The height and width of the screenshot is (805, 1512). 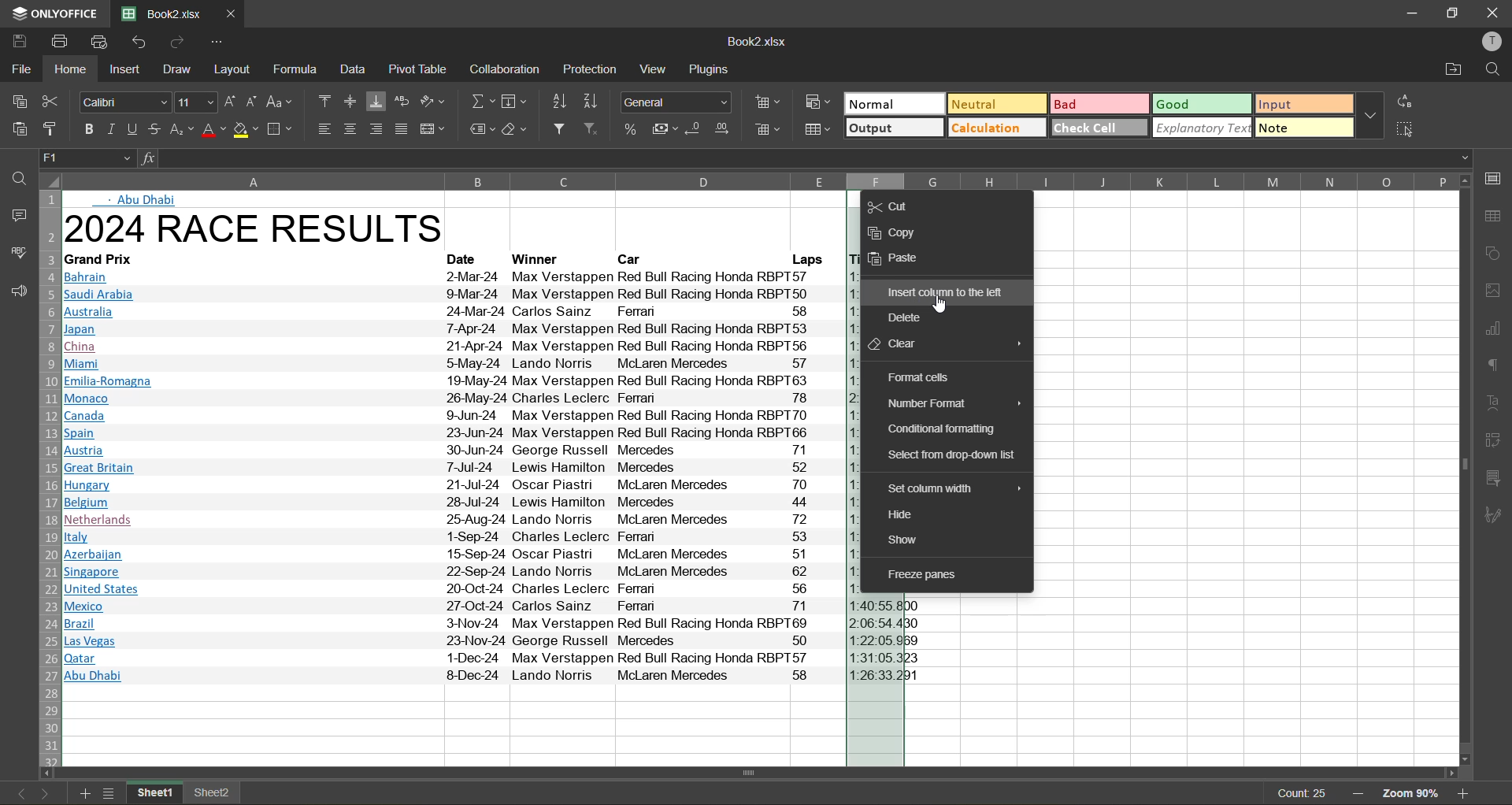 I want to click on file name: Book2 xisx, so click(x=160, y=14).